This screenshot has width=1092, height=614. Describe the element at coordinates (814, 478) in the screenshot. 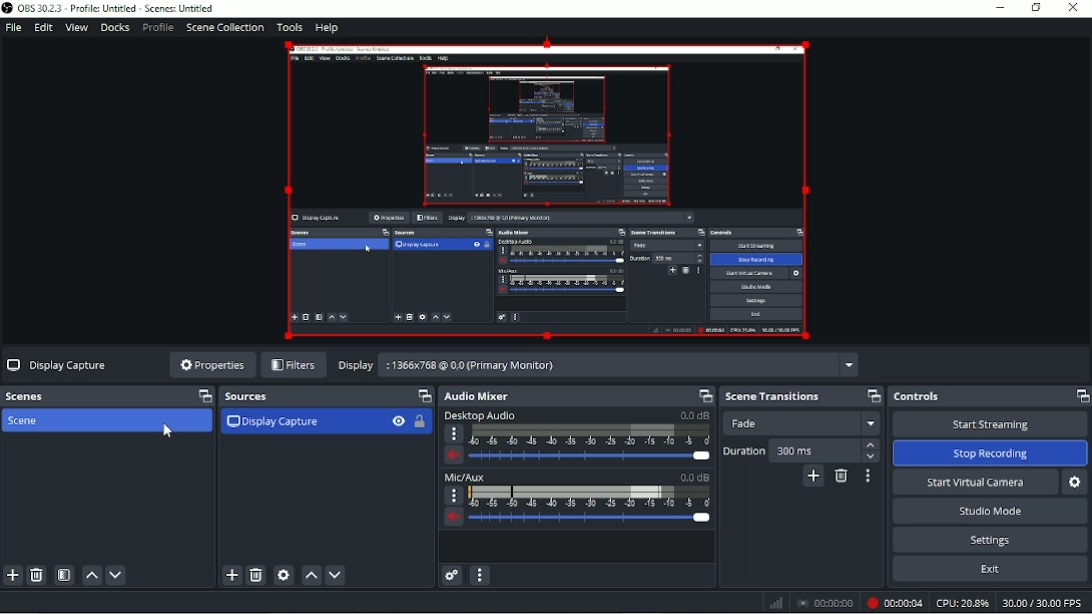

I see `Add configurable transition` at that location.